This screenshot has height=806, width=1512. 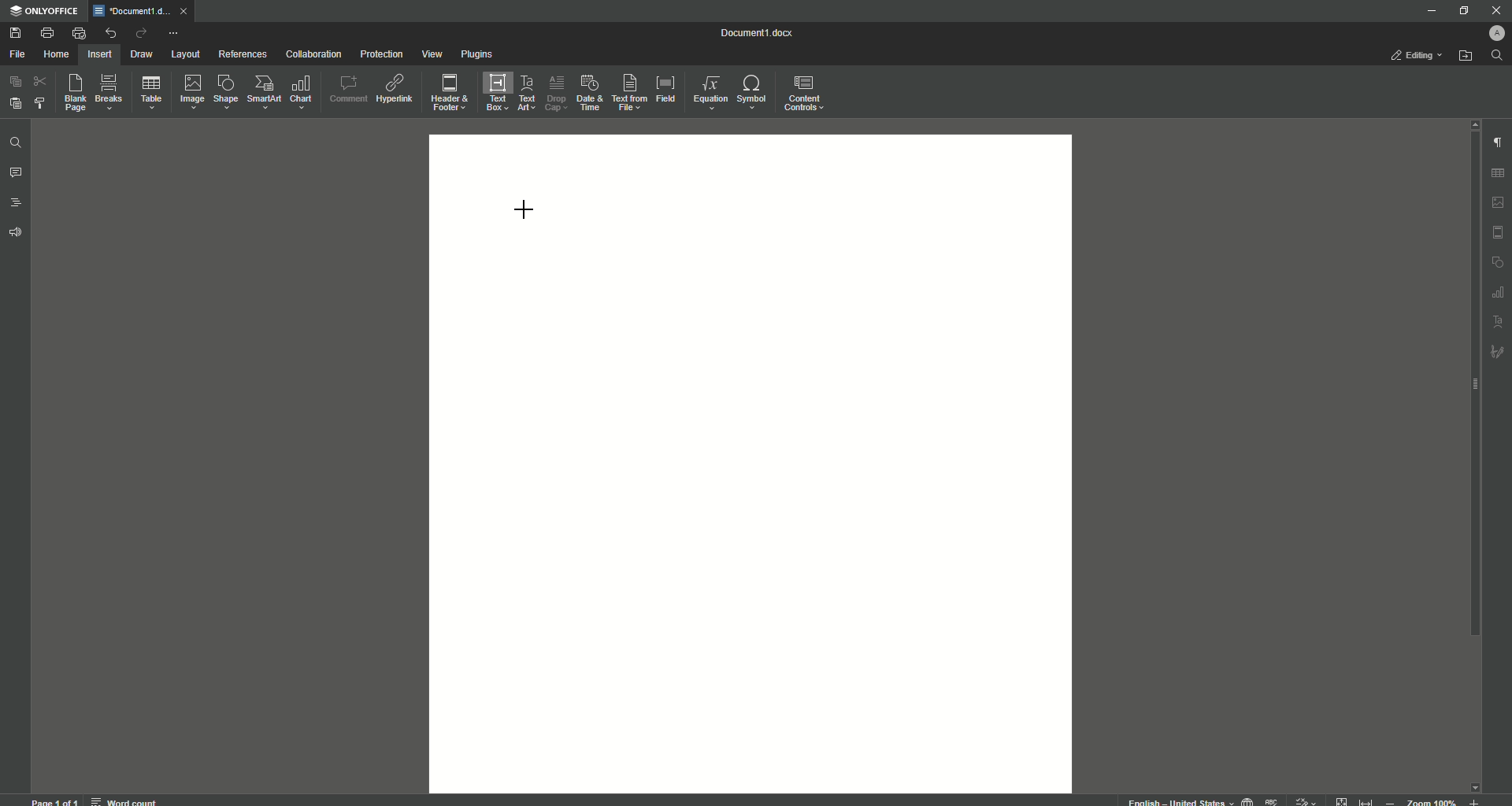 I want to click on Header and Footer, so click(x=448, y=94).